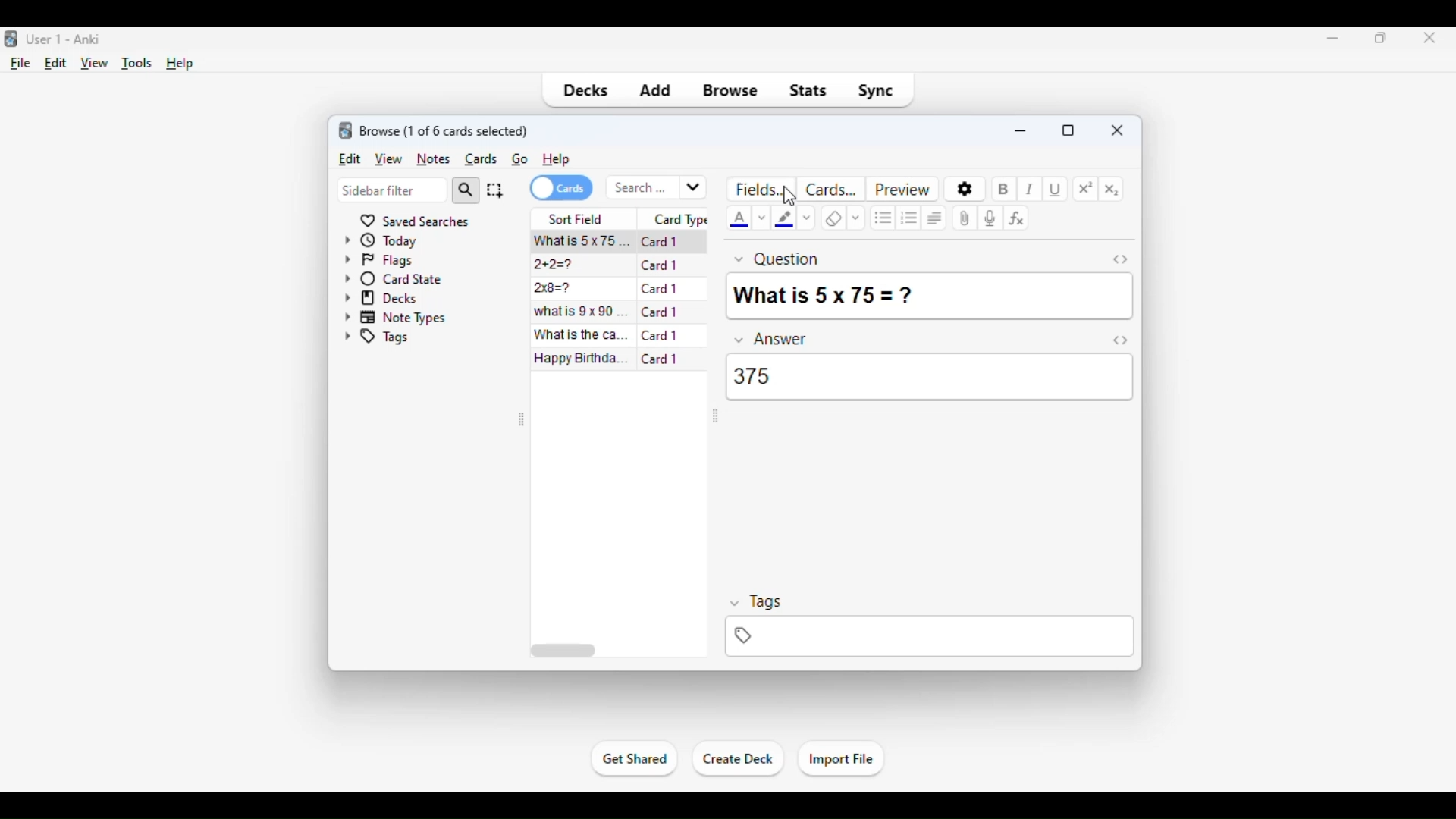 The width and height of the screenshot is (1456, 819). I want to click on preview, so click(902, 188).